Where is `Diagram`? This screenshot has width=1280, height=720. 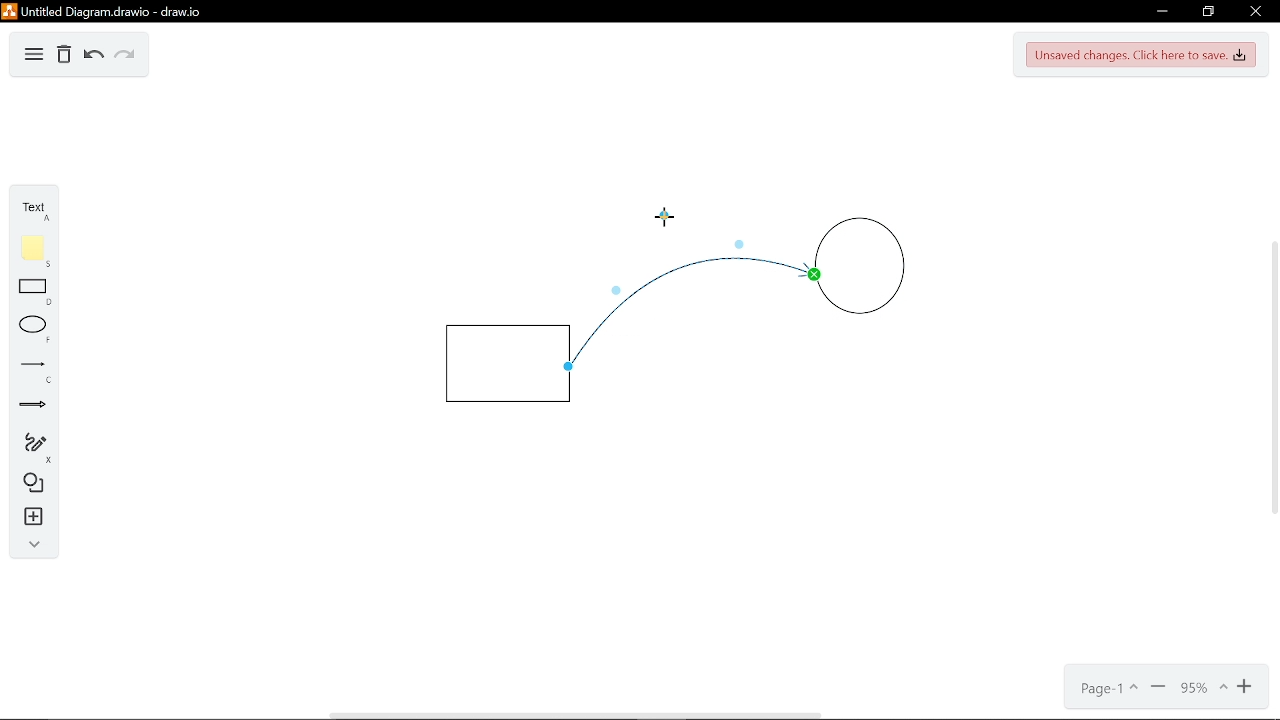 Diagram is located at coordinates (34, 56).